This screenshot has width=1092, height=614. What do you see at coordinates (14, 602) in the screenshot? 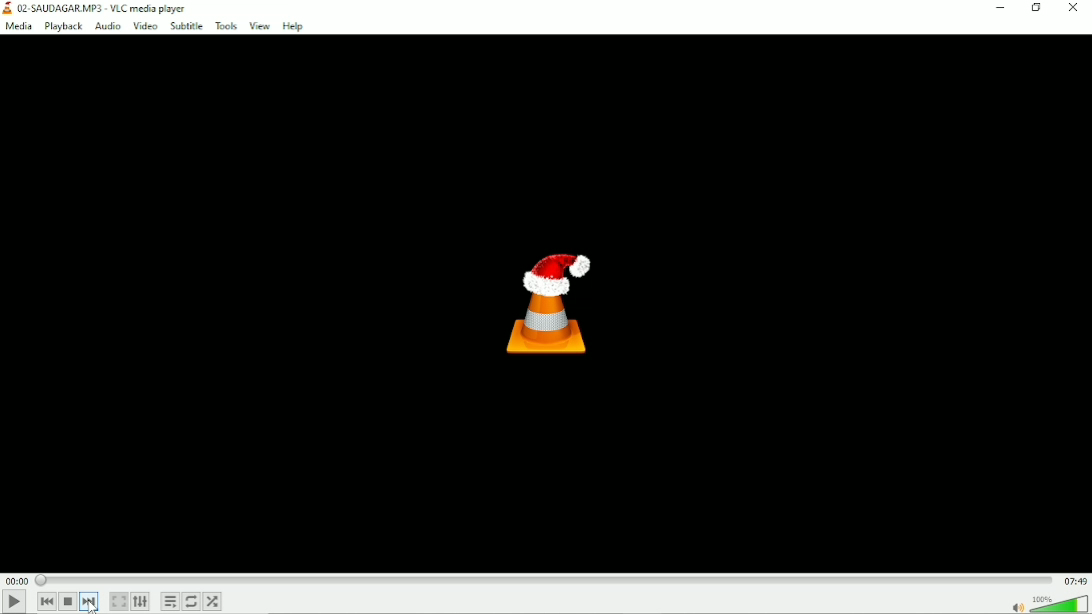
I see `Play` at bounding box center [14, 602].